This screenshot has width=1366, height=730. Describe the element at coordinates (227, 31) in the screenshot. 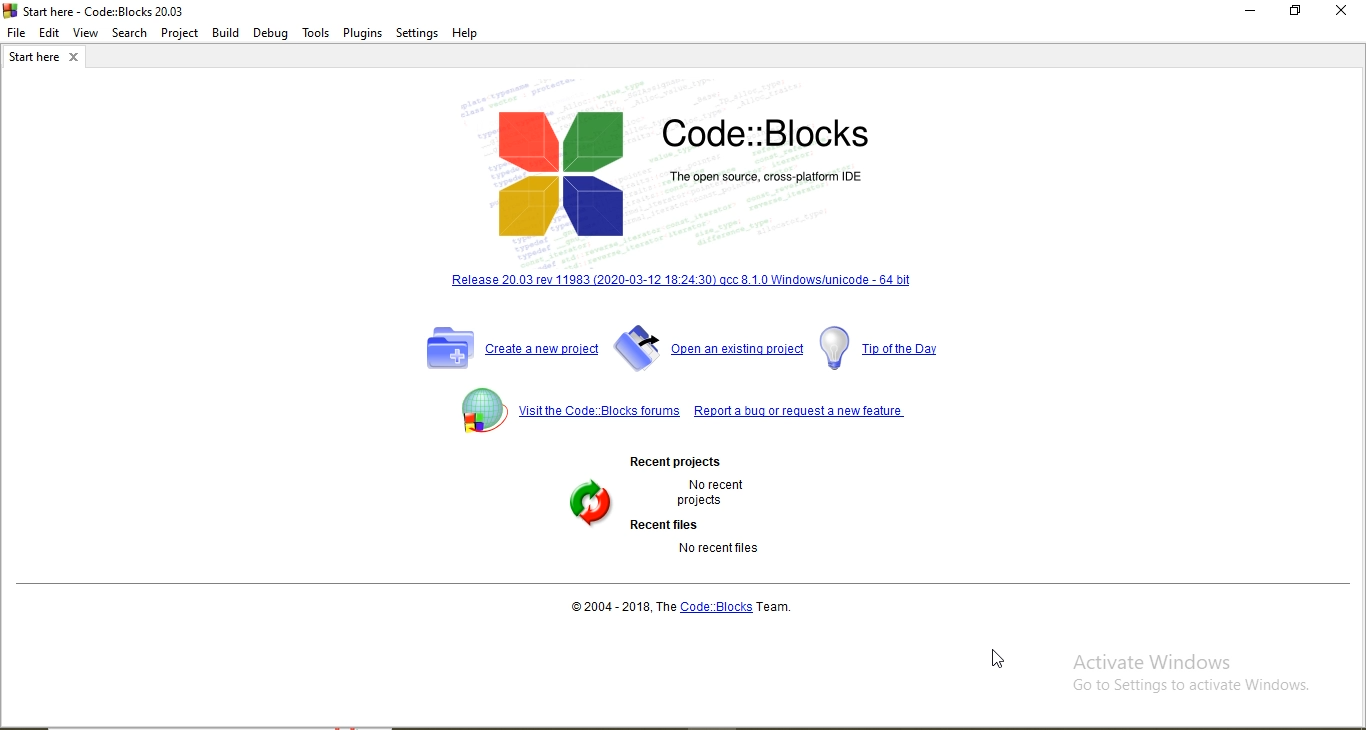

I see `Build ` at that location.